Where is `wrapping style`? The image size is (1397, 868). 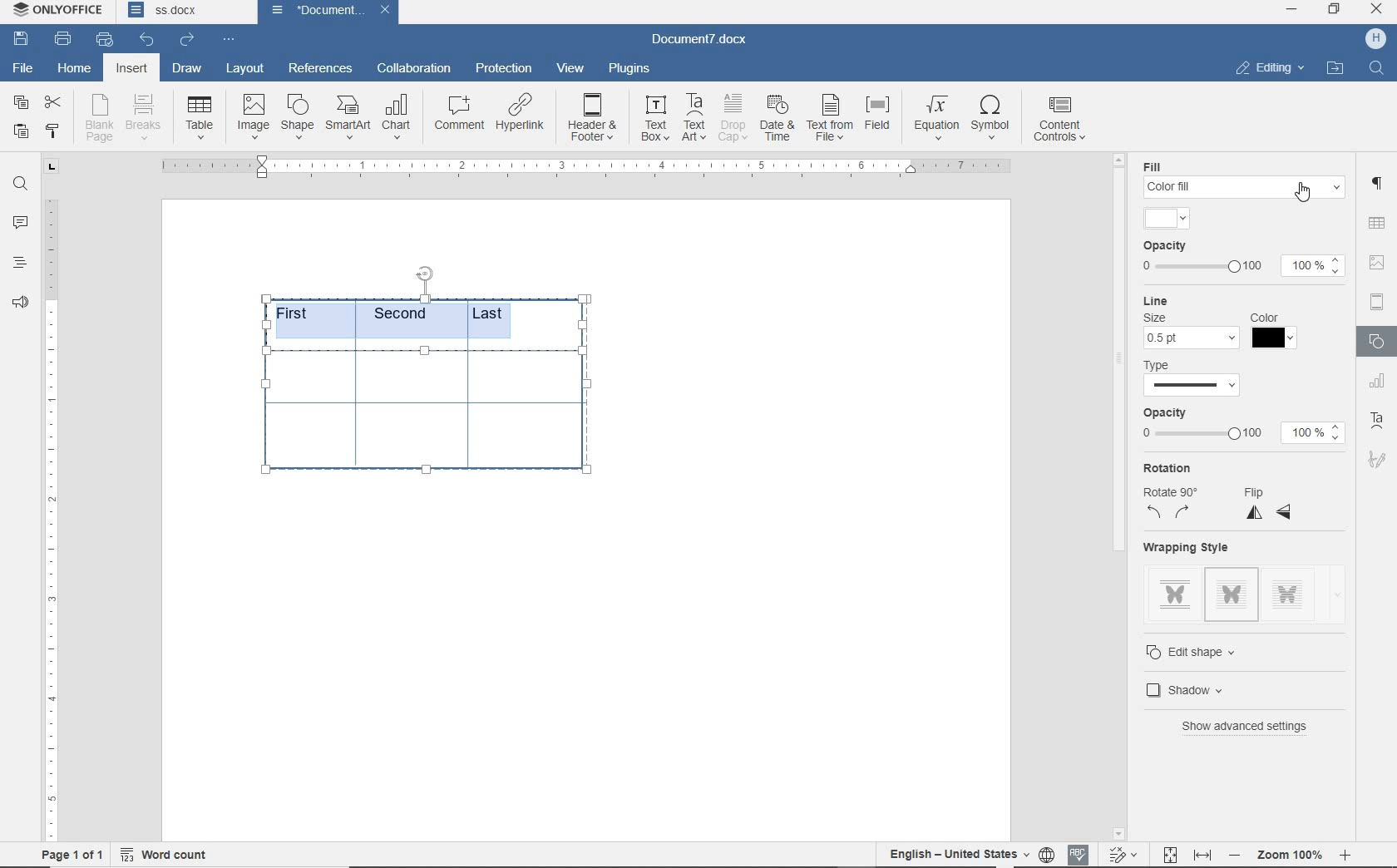 wrapping style is located at coordinates (1194, 547).